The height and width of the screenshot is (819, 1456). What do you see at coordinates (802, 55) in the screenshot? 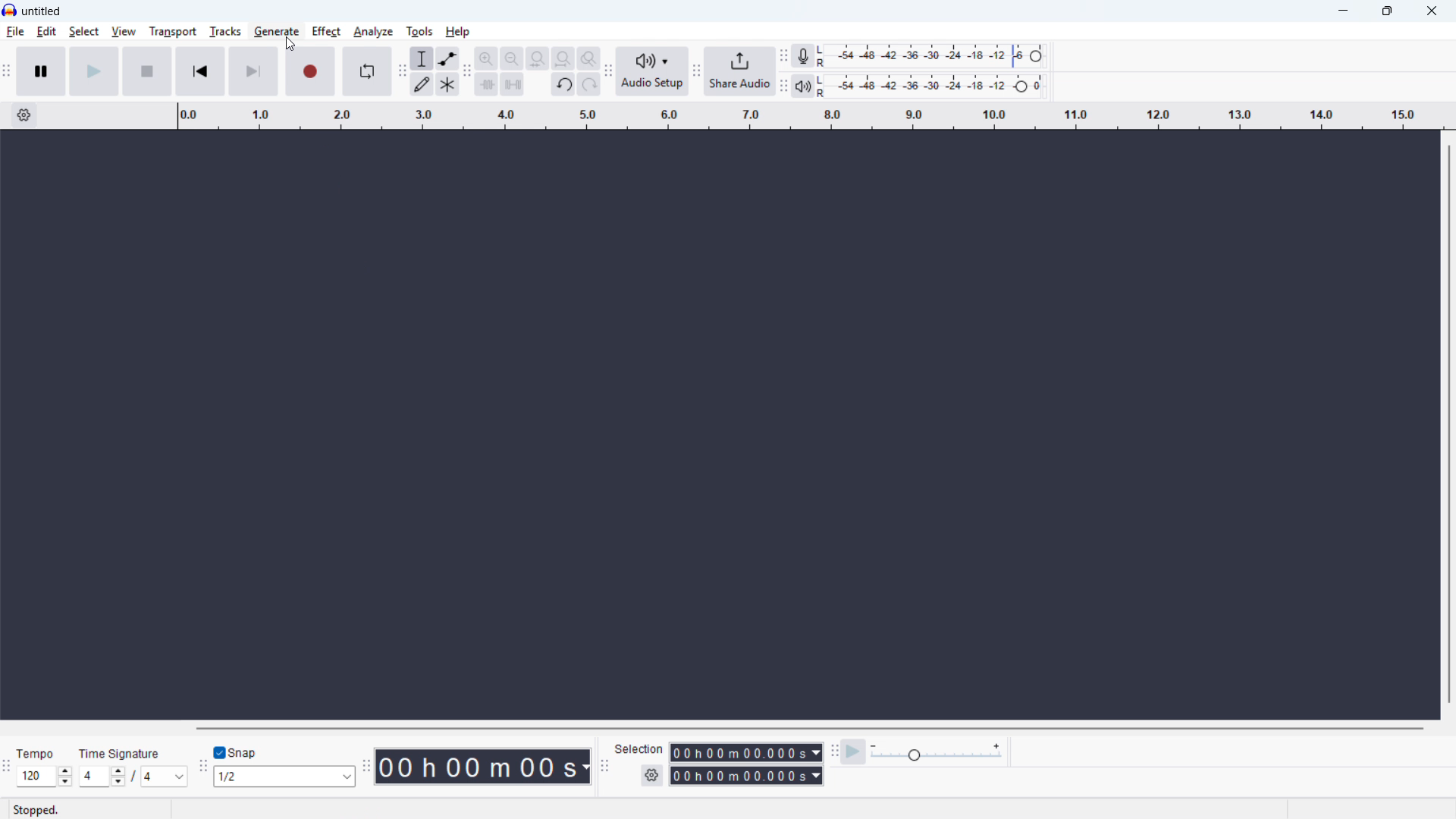
I see `Recording metre ` at bounding box center [802, 55].